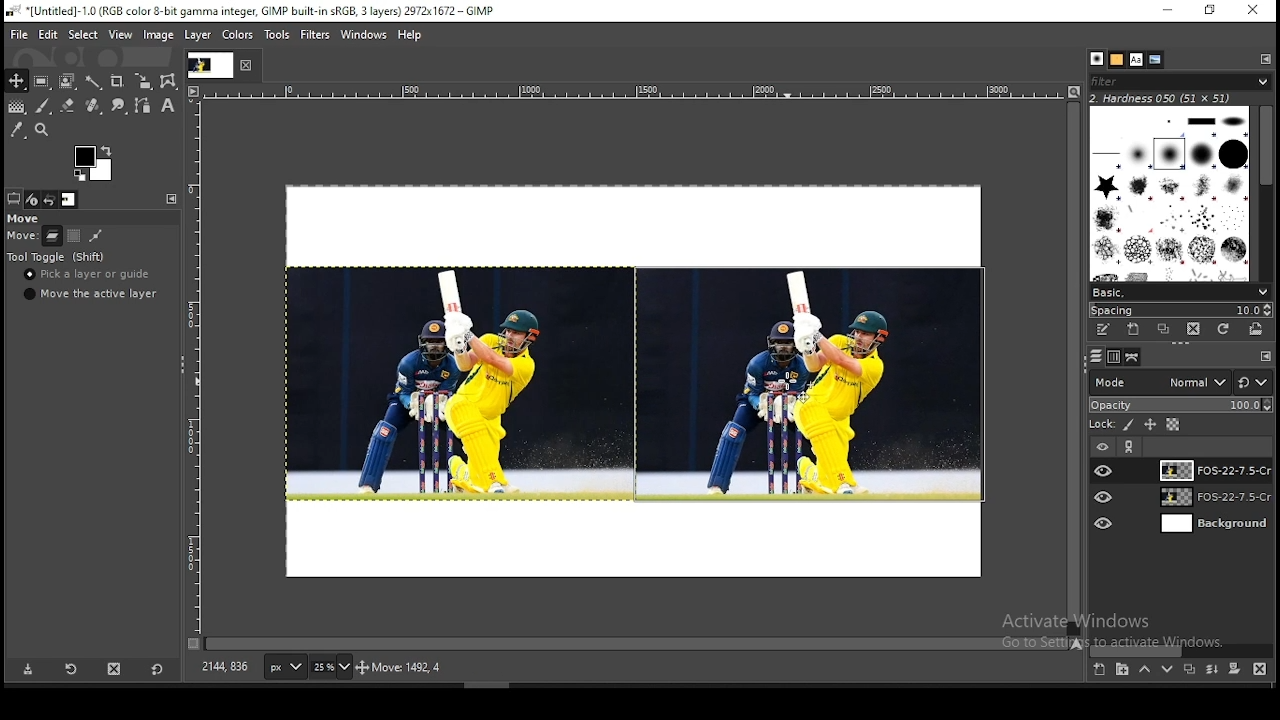 This screenshot has height=720, width=1280. Describe the element at coordinates (16, 108) in the screenshot. I see `gradient tool` at that location.